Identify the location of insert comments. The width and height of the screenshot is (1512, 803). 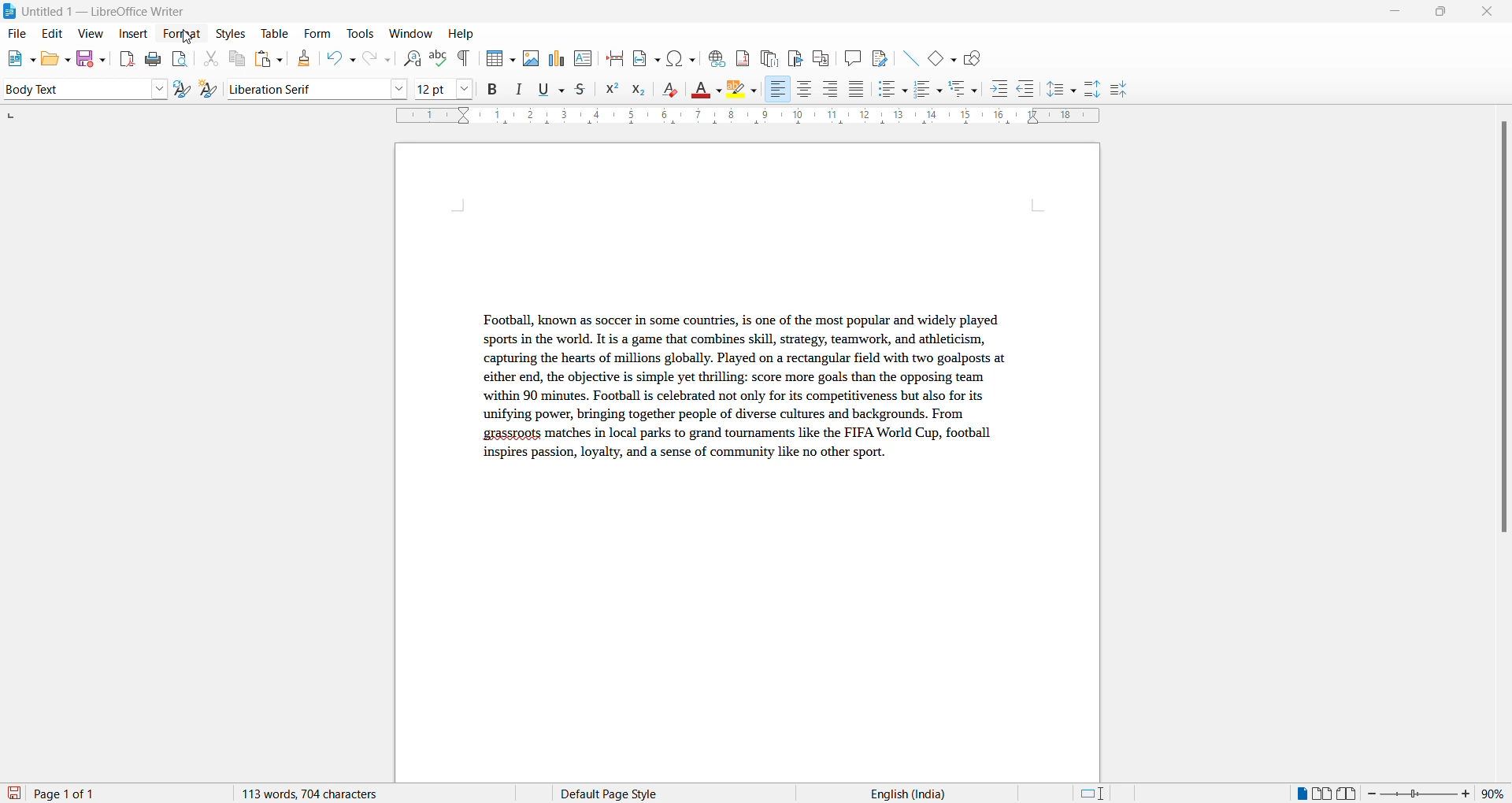
(849, 57).